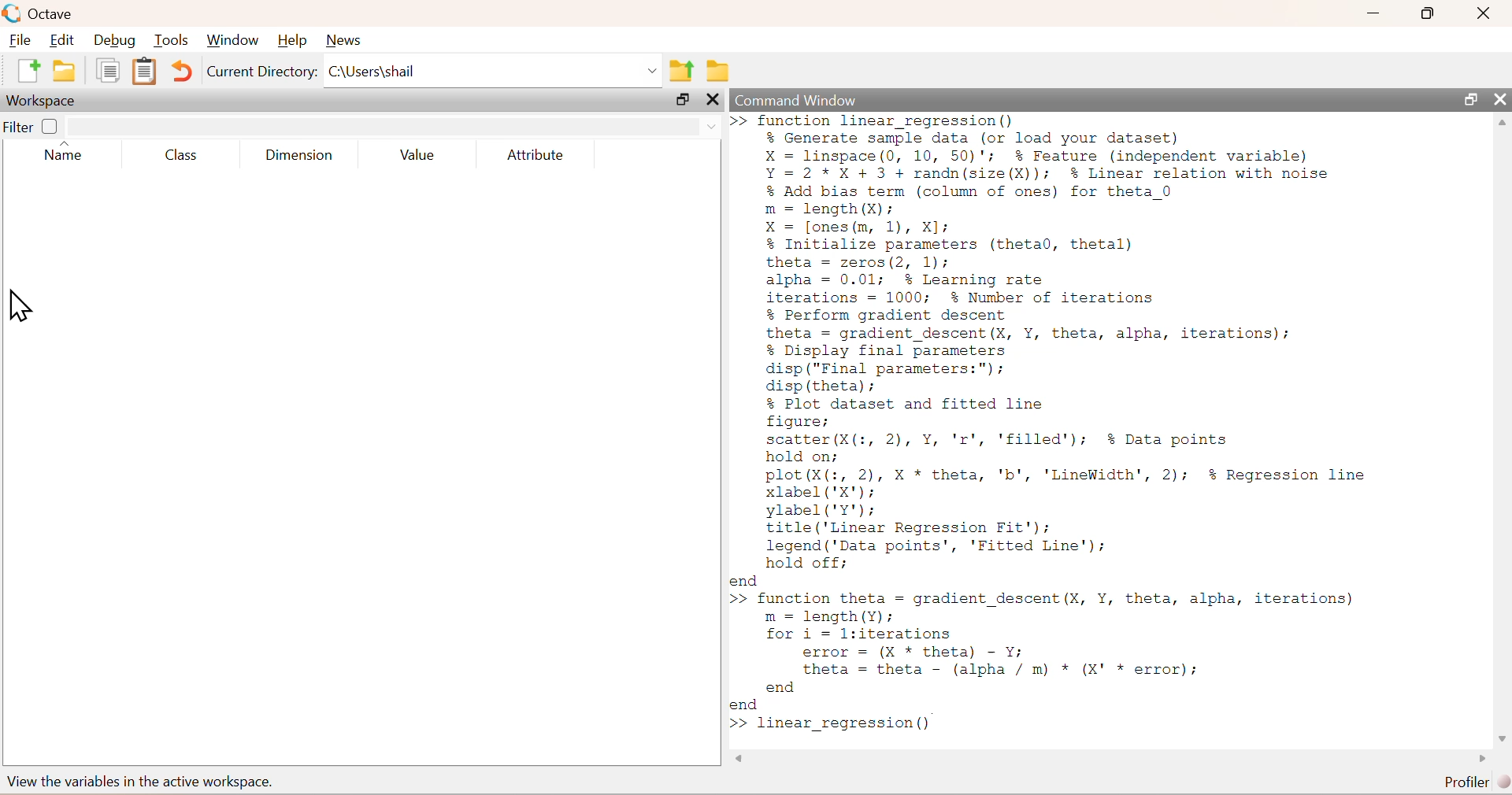  I want to click on Undo, so click(181, 72).